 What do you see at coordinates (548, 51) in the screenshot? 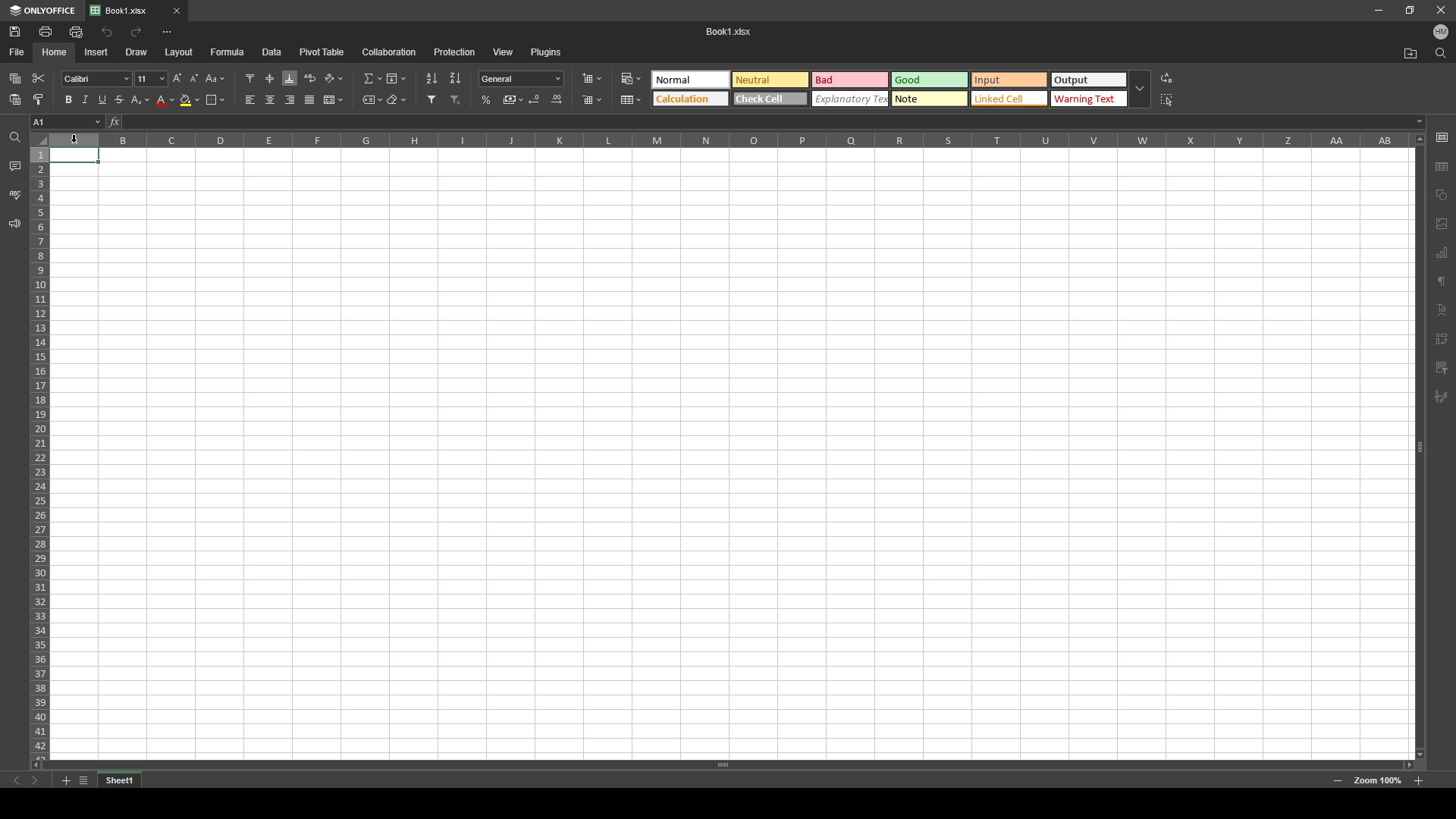
I see `plugins` at bounding box center [548, 51].